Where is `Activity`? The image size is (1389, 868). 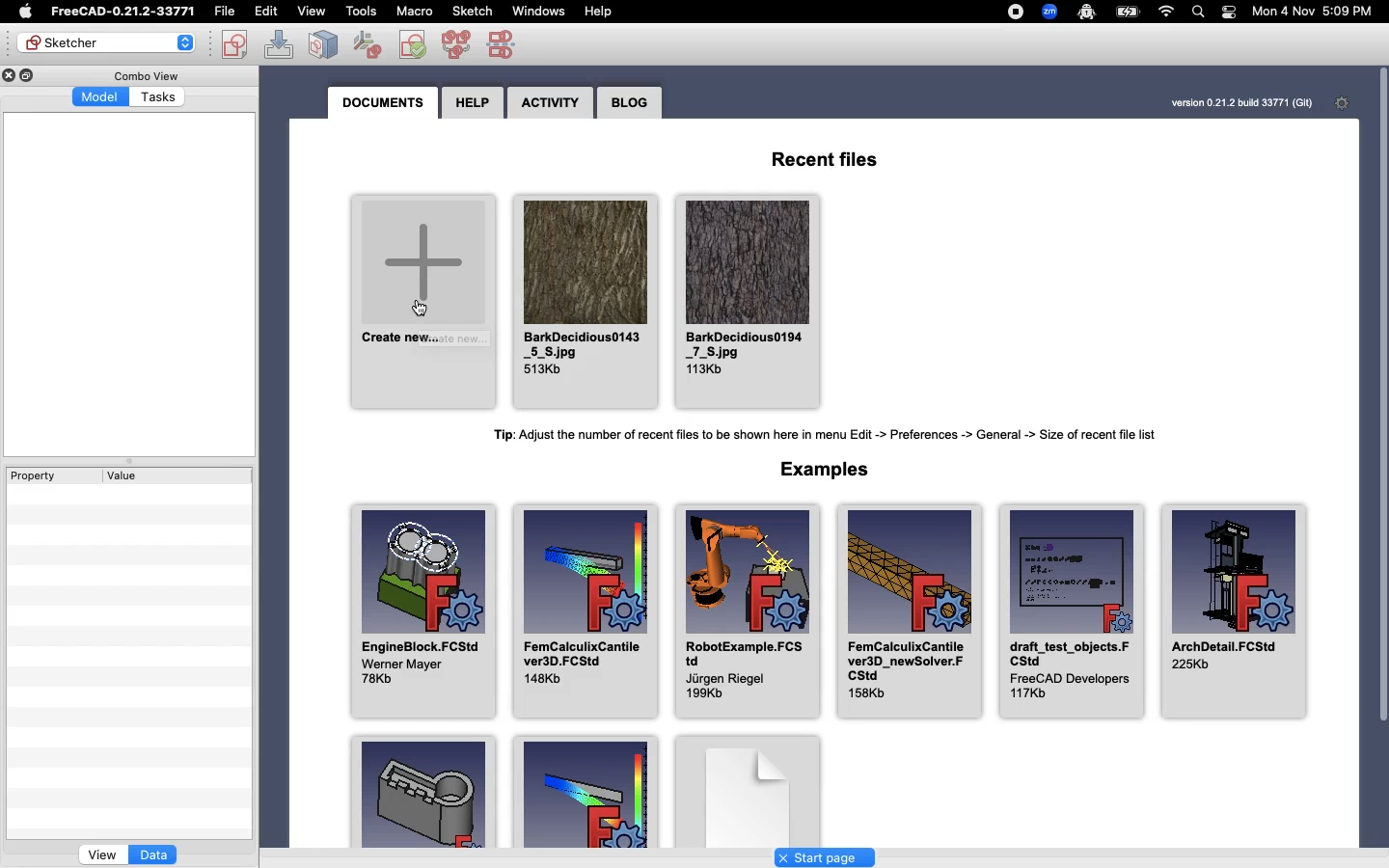 Activity is located at coordinates (551, 103).